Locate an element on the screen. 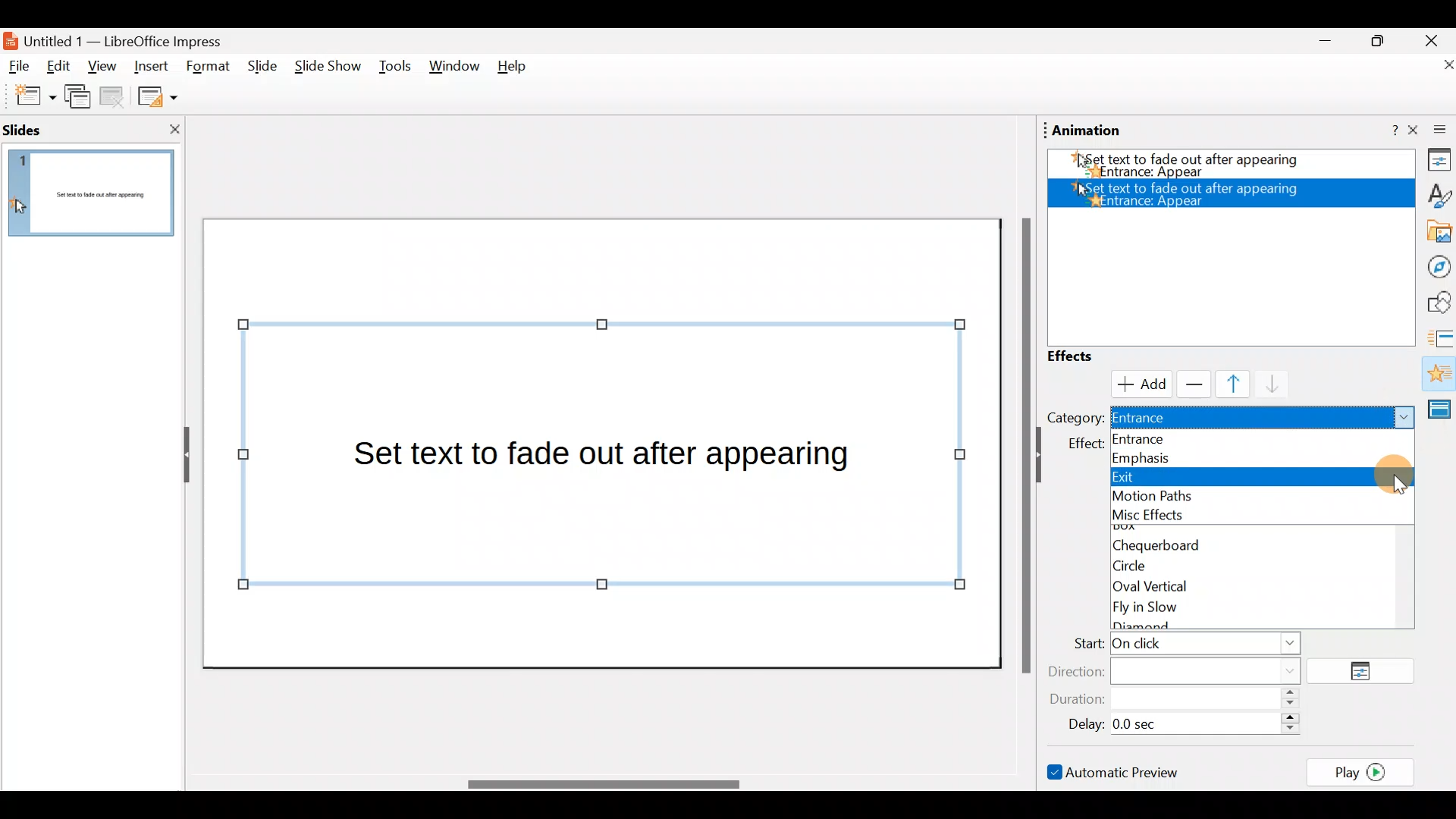  Close is located at coordinates (1432, 39).